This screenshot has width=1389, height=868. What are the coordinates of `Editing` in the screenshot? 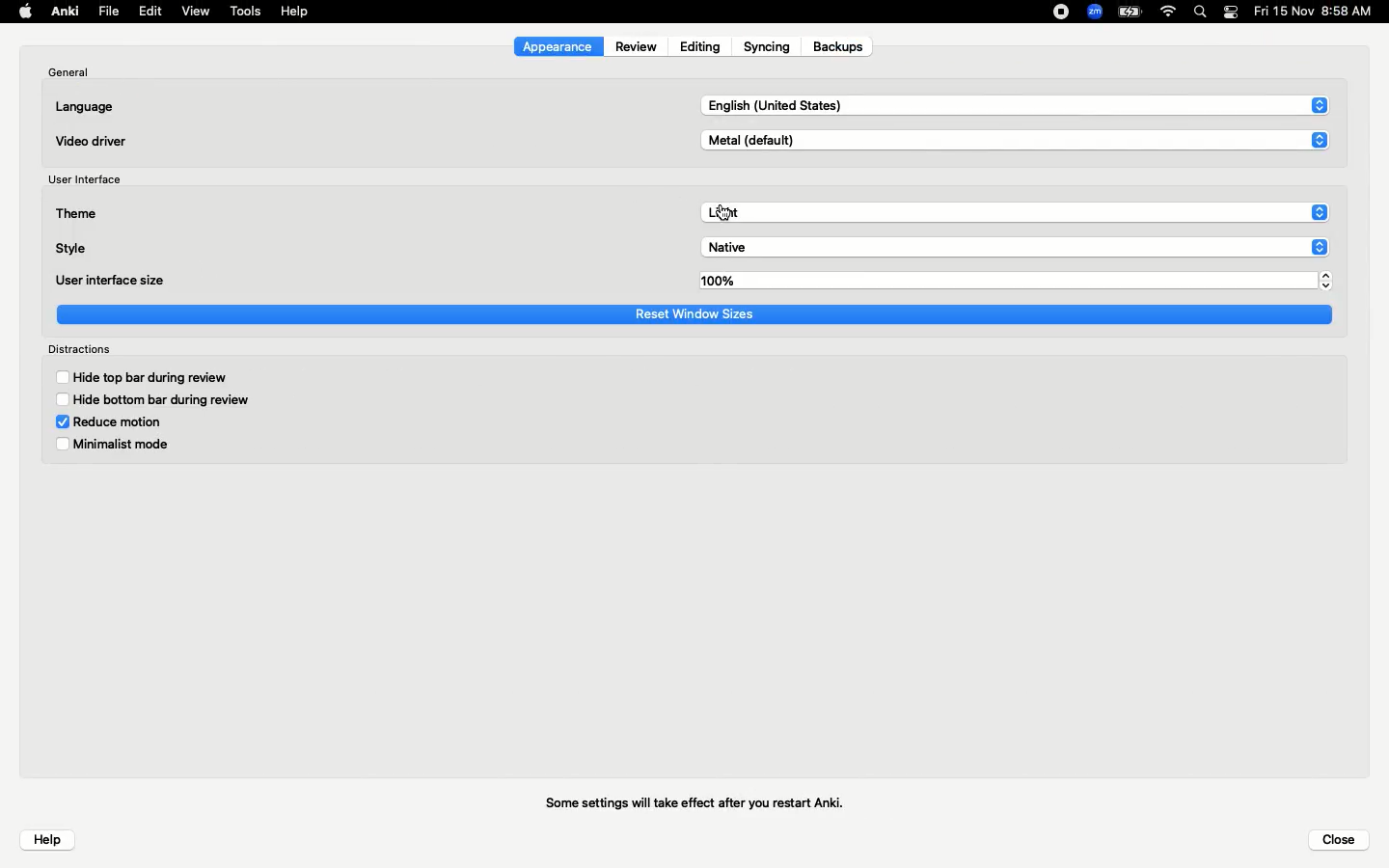 It's located at (702, 48).